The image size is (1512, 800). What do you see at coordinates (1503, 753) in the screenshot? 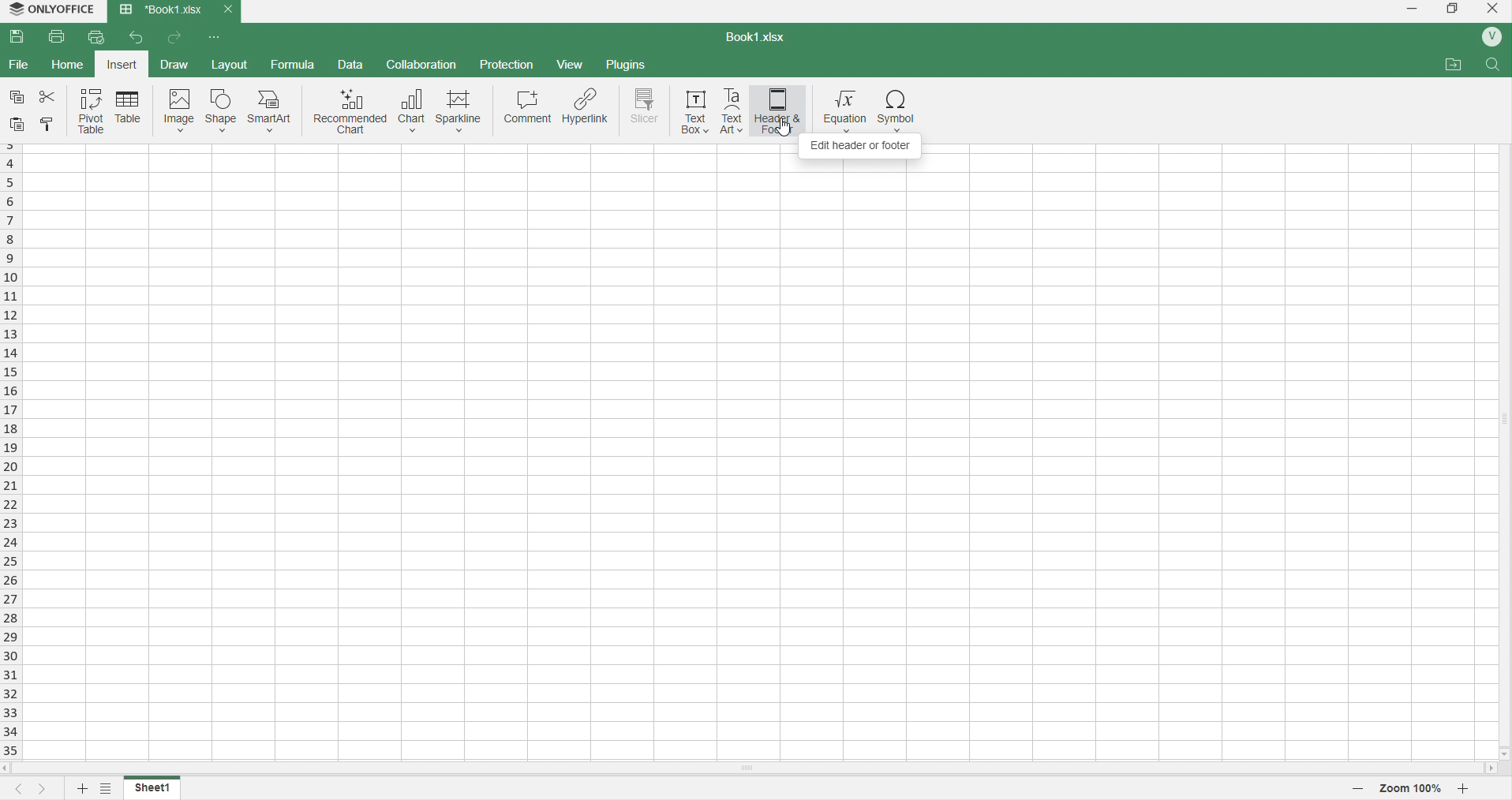
I see `move down` at bounding box center [1503, 753].